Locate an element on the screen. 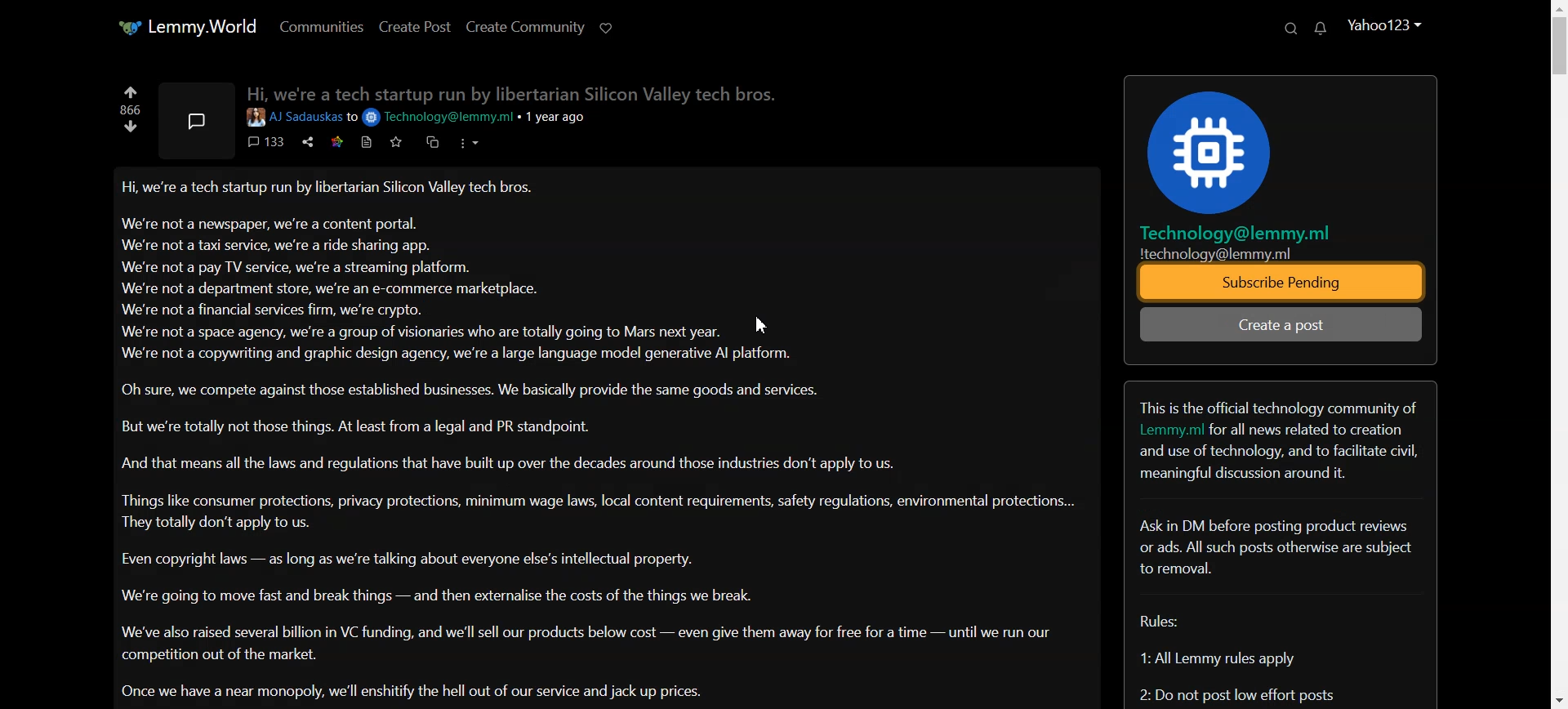 The height and width of the screenshot is (709, 1568). Logo is located at coordinates (1272, 154).